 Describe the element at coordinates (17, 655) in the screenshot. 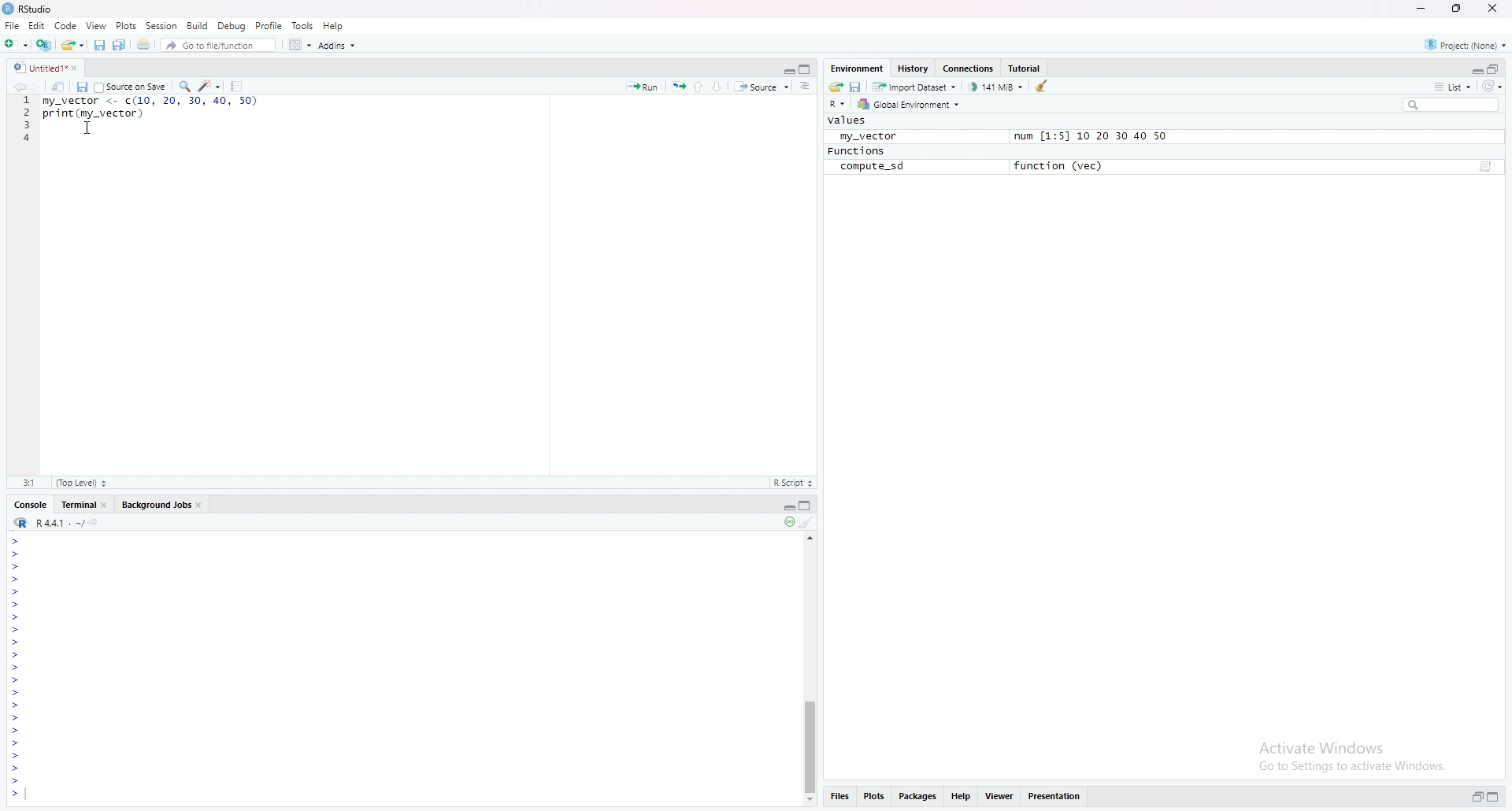

I see `Prompt cursor` at that location.